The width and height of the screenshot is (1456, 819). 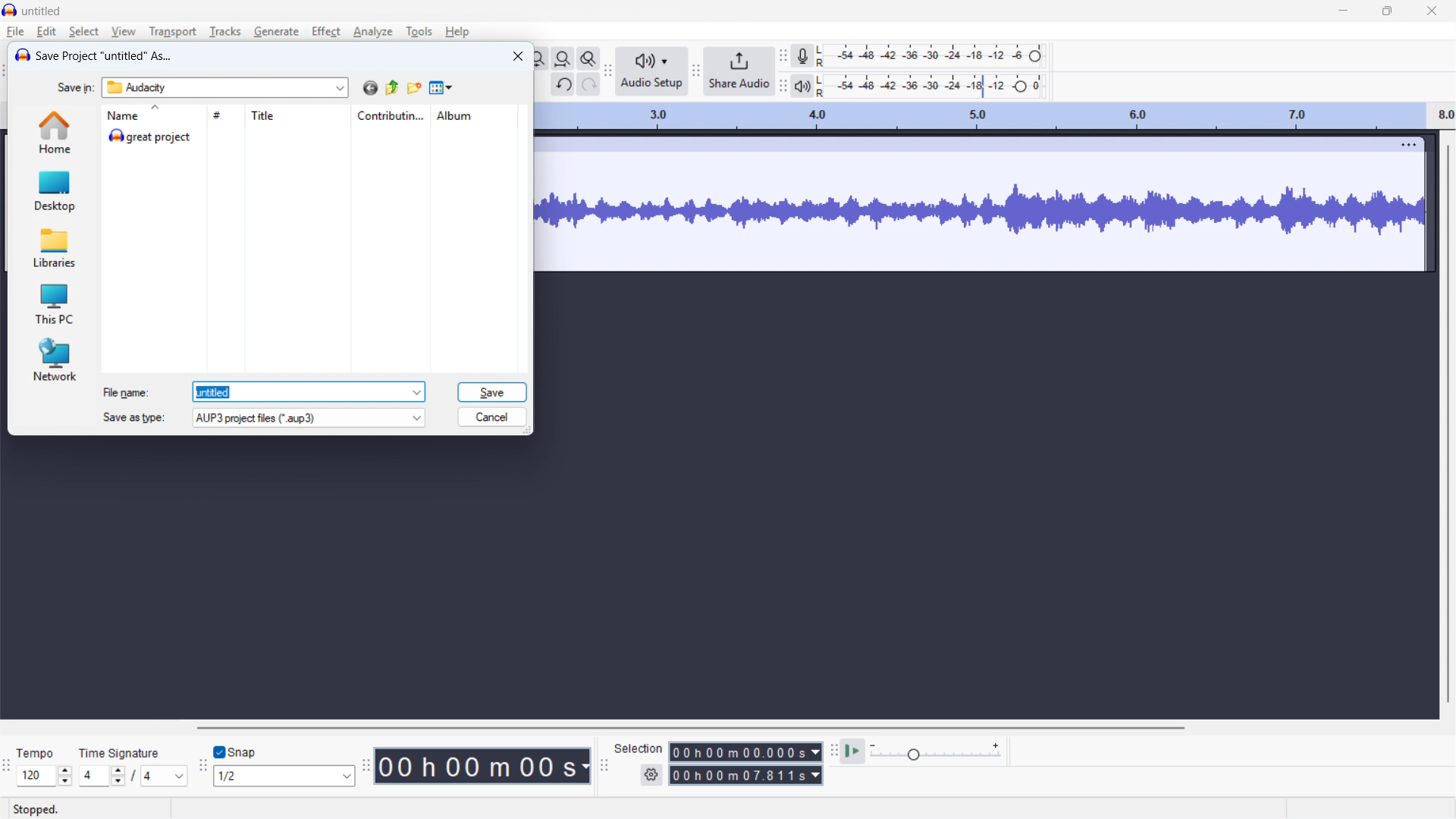 What do you see at coordinates (609, 72) in the screenshot?
I see `audio setup toolbar` at bounding box center [609, 72].